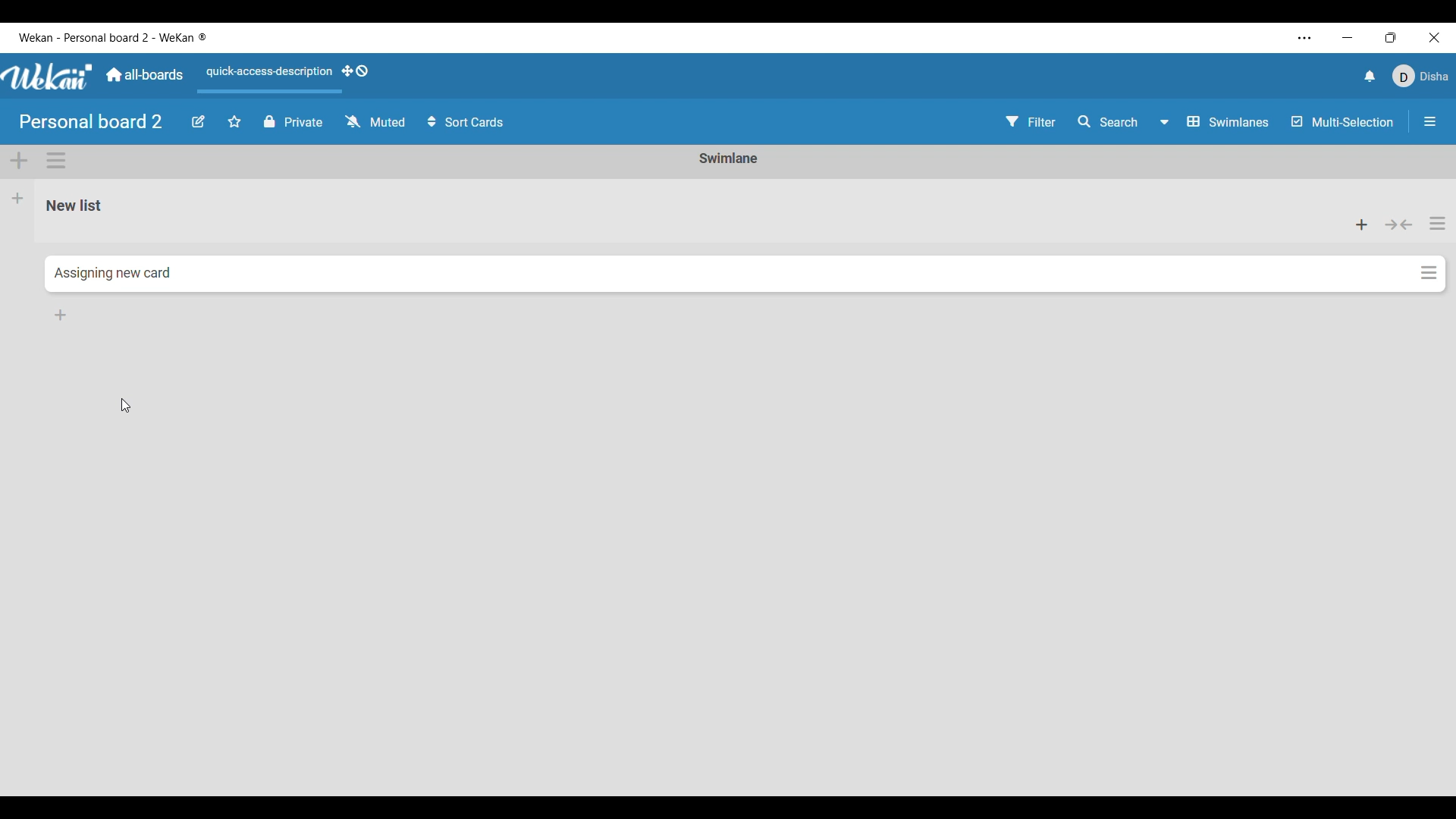 Image resolution: width=1456 pixels, height=819 pixels. I want to click on Open/Close sidebar, so click(1430, 121).